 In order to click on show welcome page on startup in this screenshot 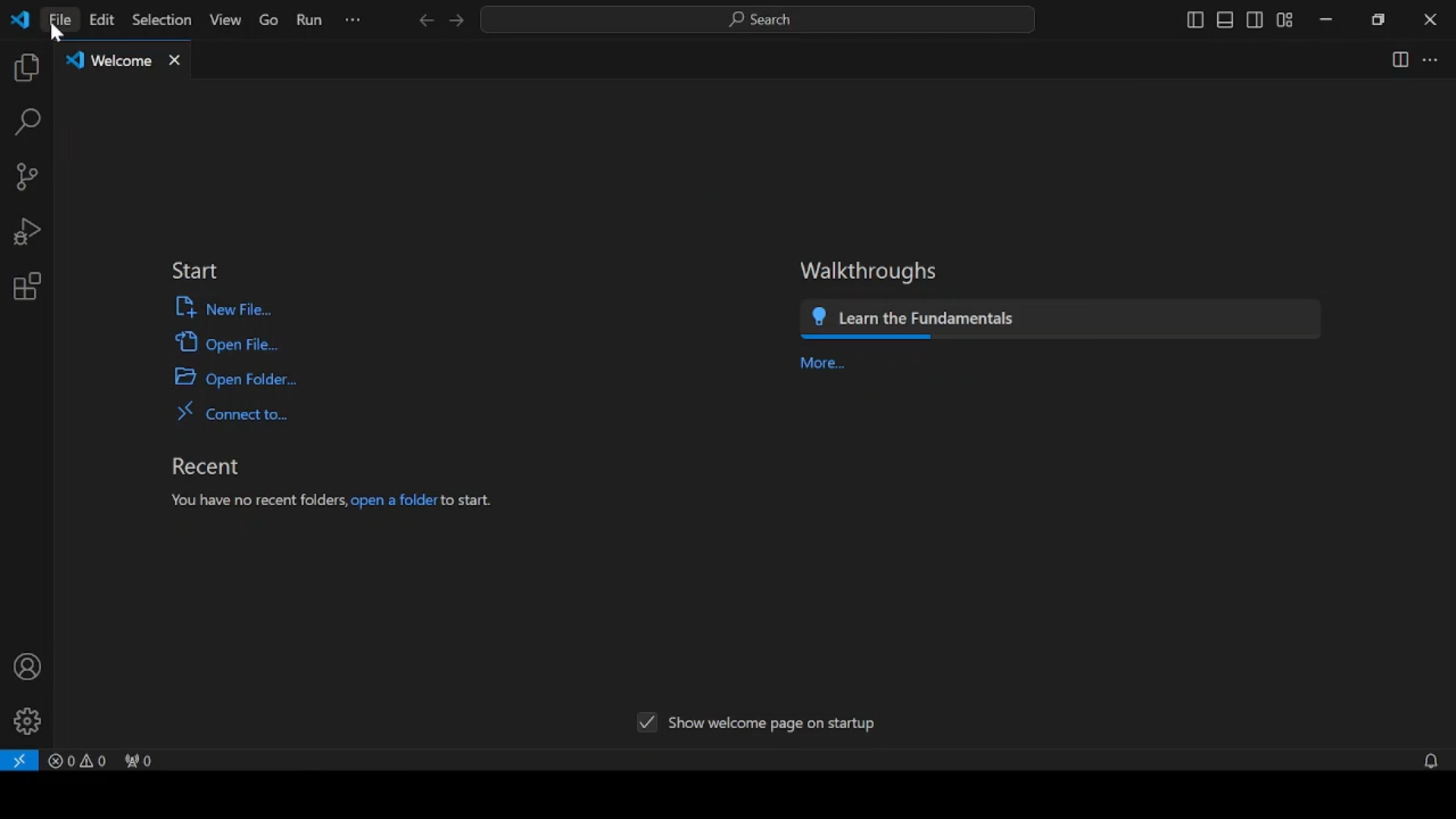, I will do `click(774, 723)`.